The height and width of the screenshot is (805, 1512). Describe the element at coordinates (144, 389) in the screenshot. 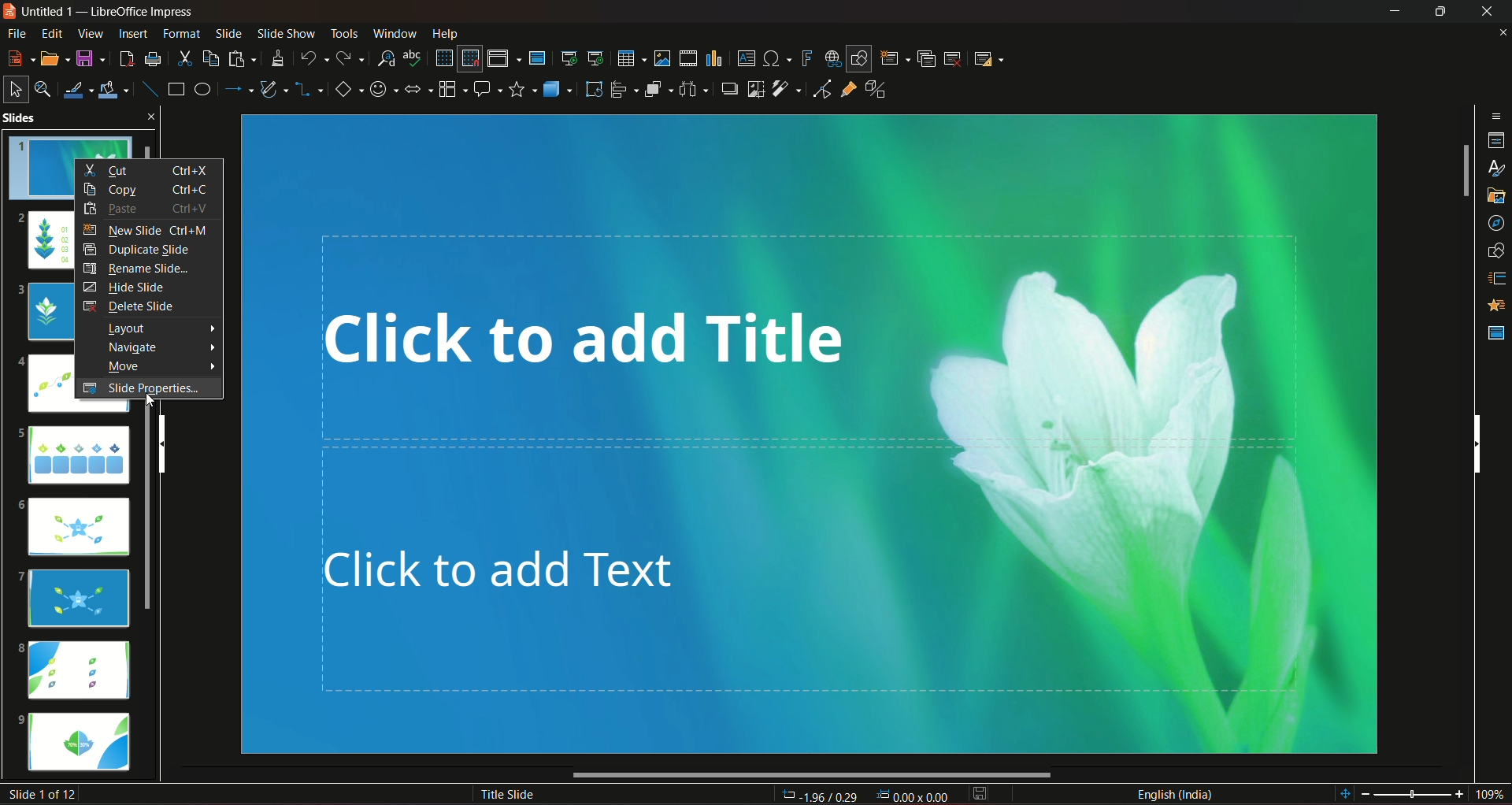

I see `slide properties` at that location.